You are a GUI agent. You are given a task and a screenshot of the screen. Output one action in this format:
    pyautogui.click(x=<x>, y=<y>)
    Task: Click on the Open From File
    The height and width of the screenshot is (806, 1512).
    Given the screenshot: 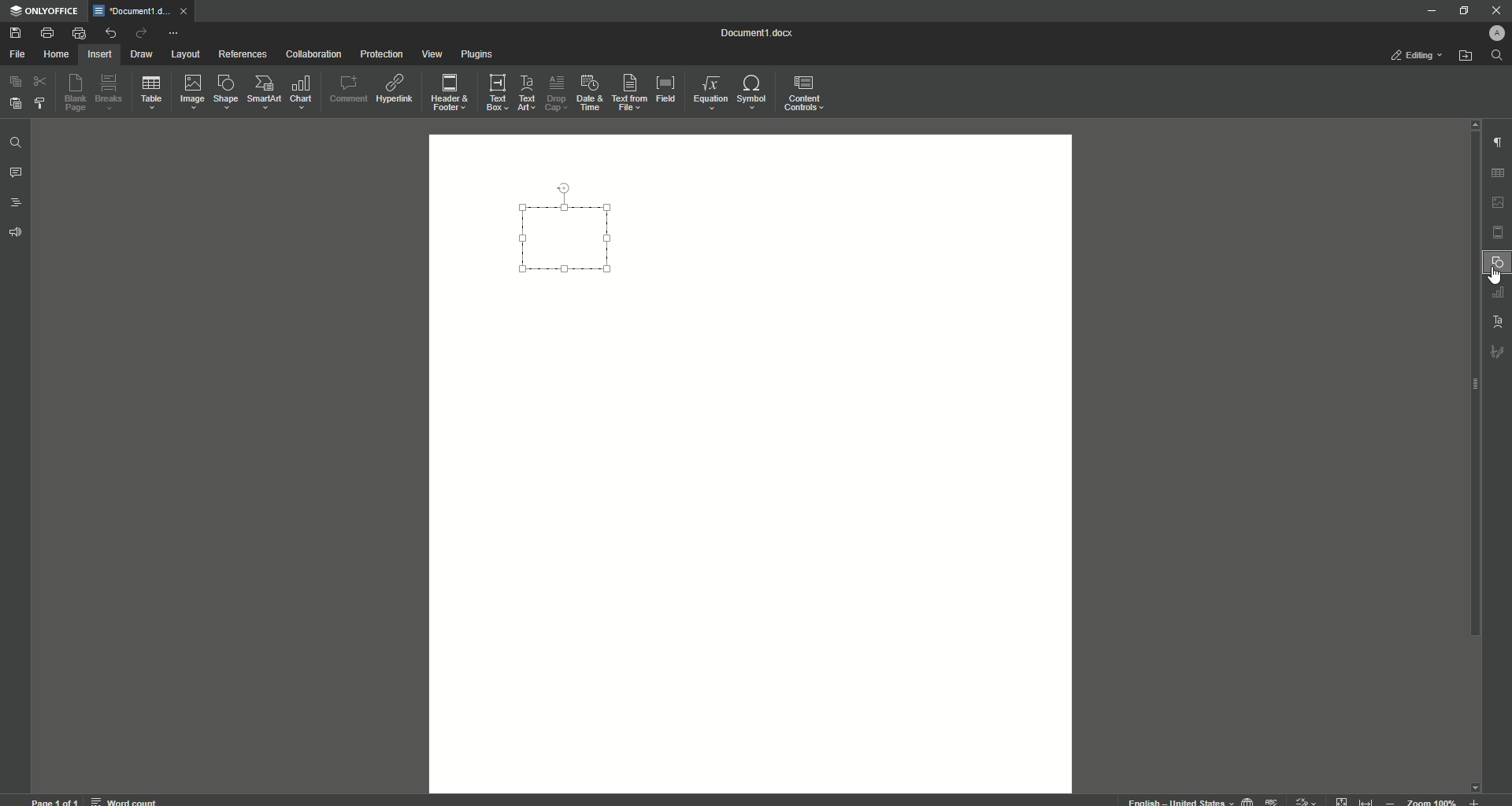 What is the action you would take?
    pyautogui.click(x=1466, y=56)
    